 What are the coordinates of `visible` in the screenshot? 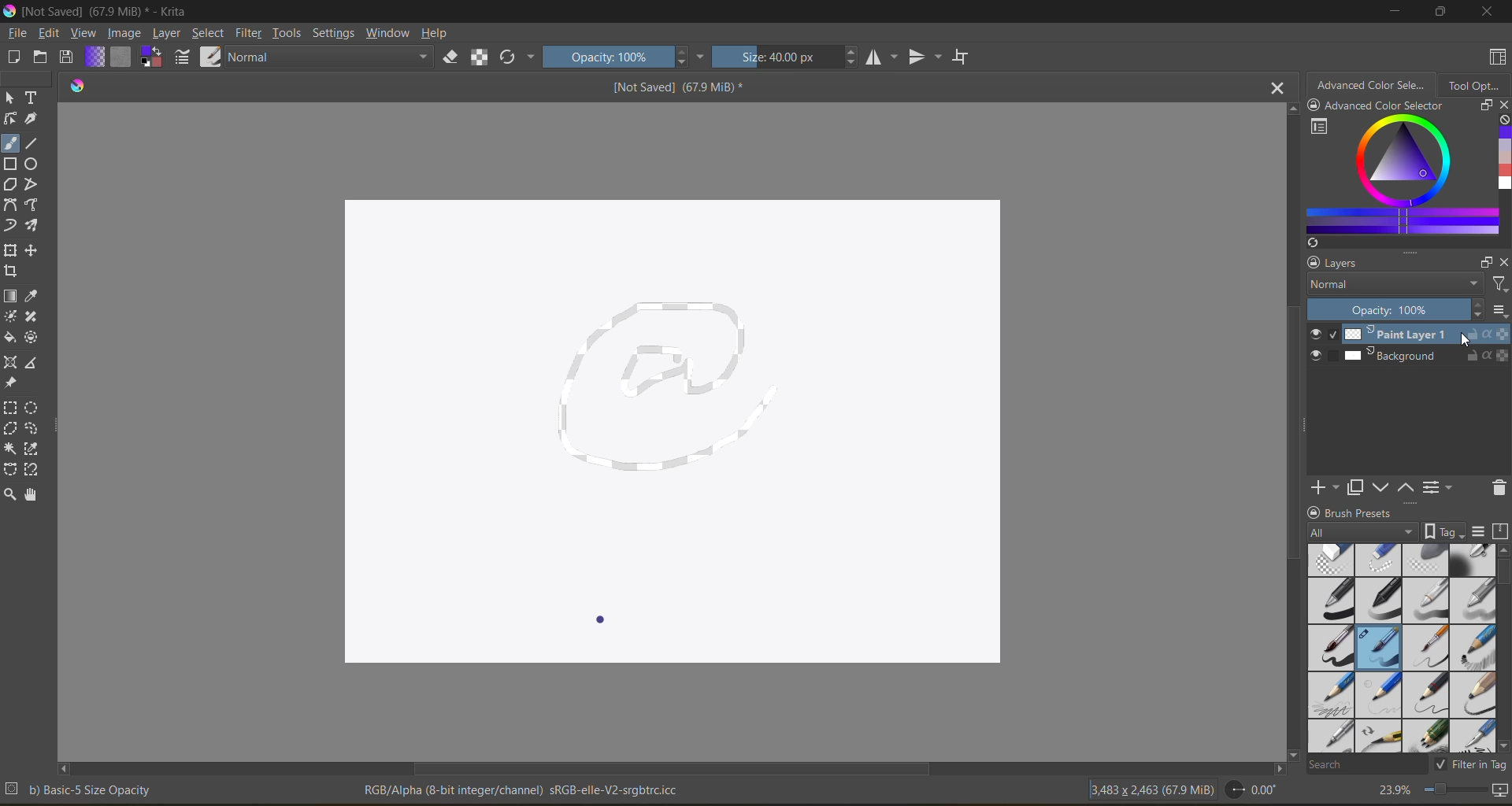 It's located at (1314, 335).